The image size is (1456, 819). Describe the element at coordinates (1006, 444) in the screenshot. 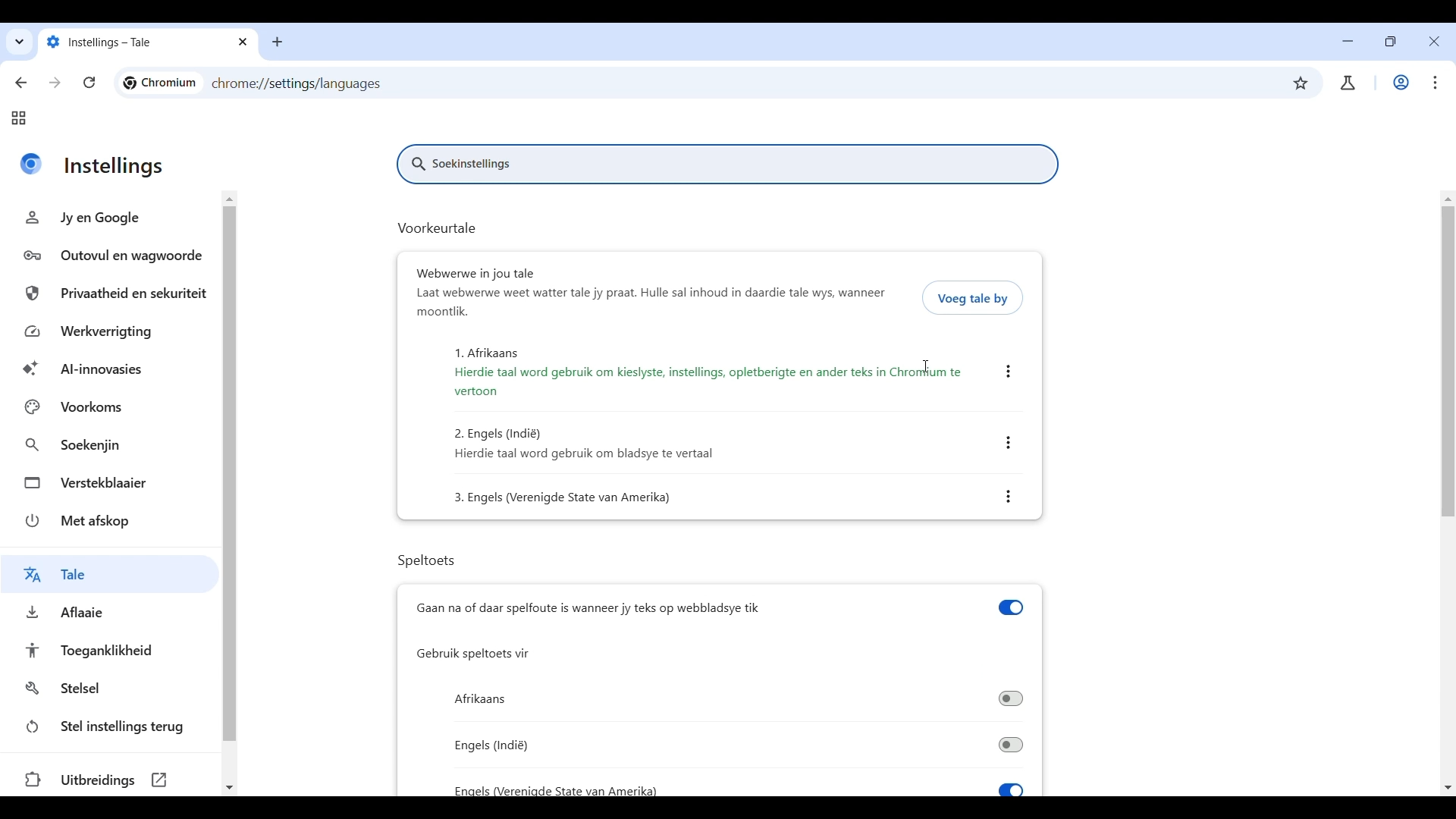

I see `more actions` at that location.